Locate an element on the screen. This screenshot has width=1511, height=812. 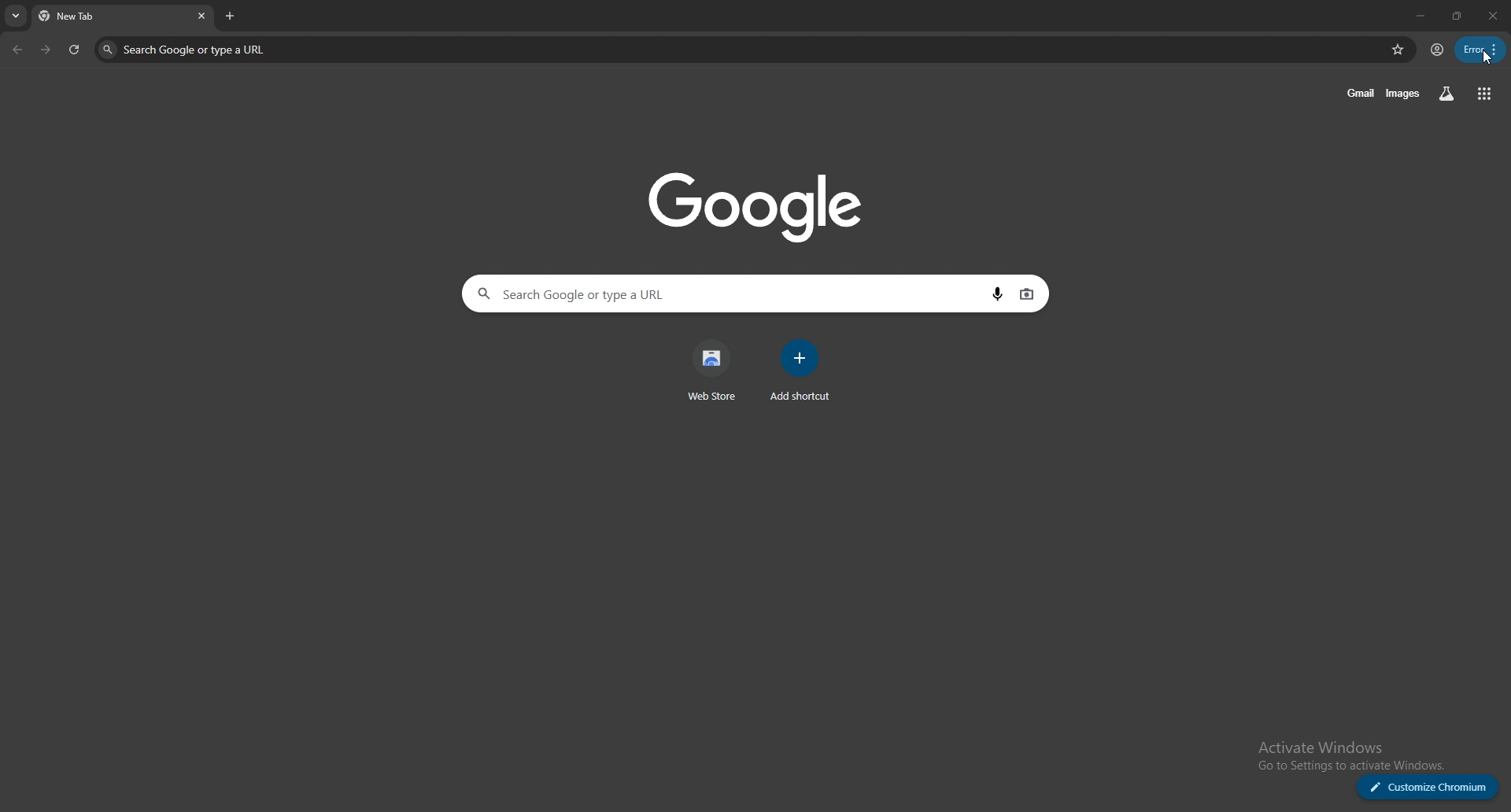
profile is located at coordinates (1436, 51).